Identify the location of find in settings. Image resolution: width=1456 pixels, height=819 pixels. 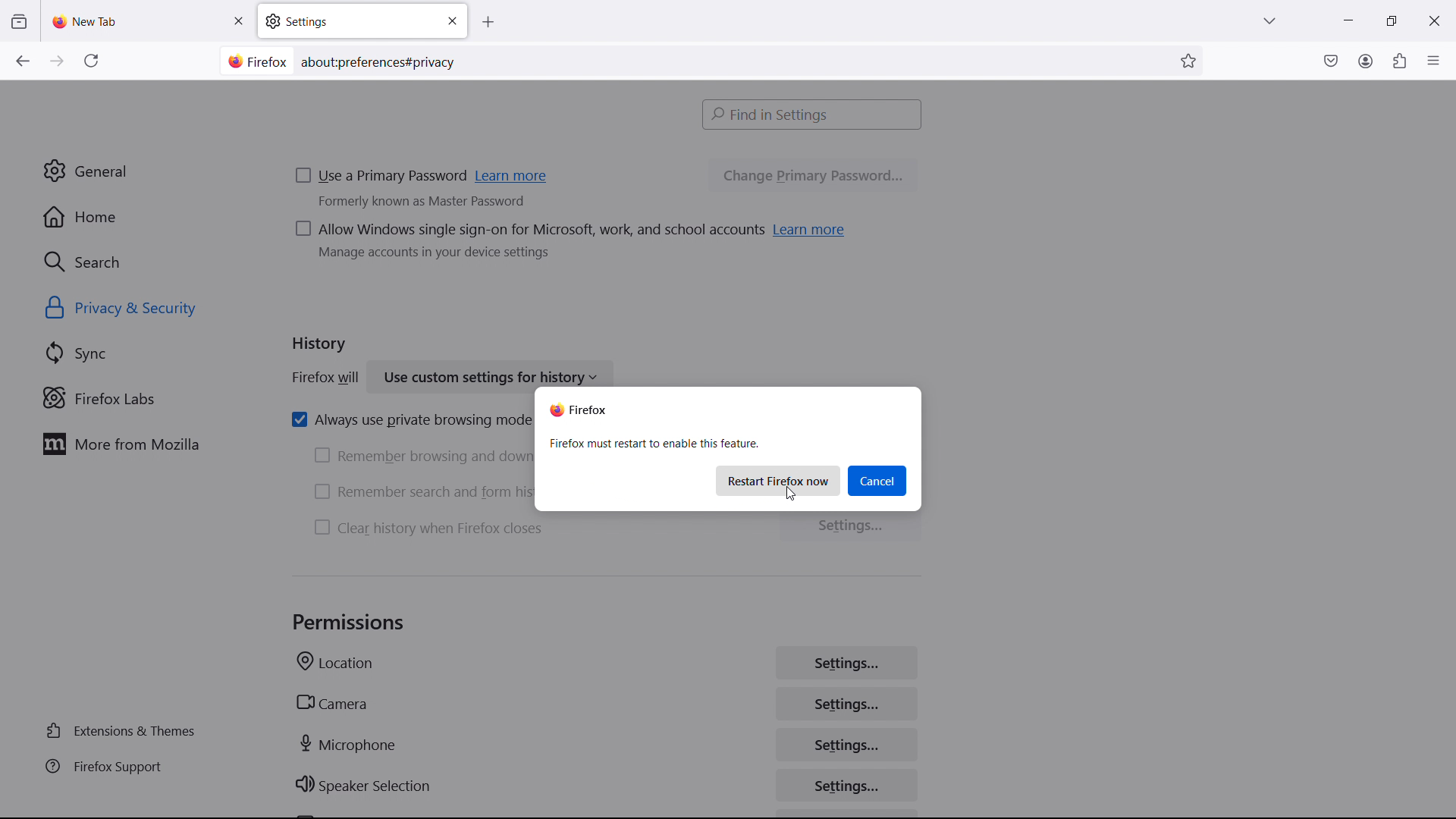
(813, 114).